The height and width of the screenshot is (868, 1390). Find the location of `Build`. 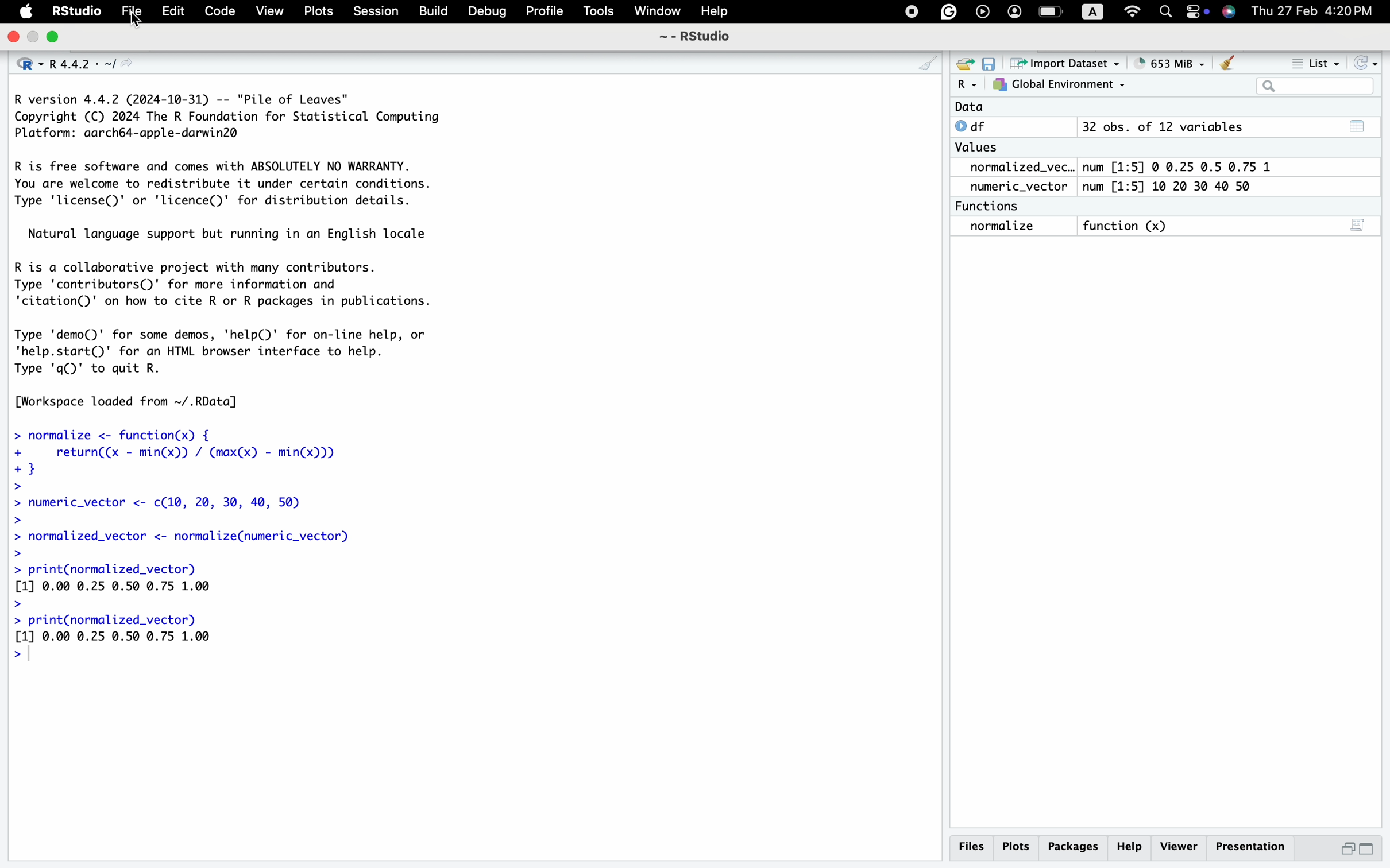

Build is located at coordinates (433, 10).